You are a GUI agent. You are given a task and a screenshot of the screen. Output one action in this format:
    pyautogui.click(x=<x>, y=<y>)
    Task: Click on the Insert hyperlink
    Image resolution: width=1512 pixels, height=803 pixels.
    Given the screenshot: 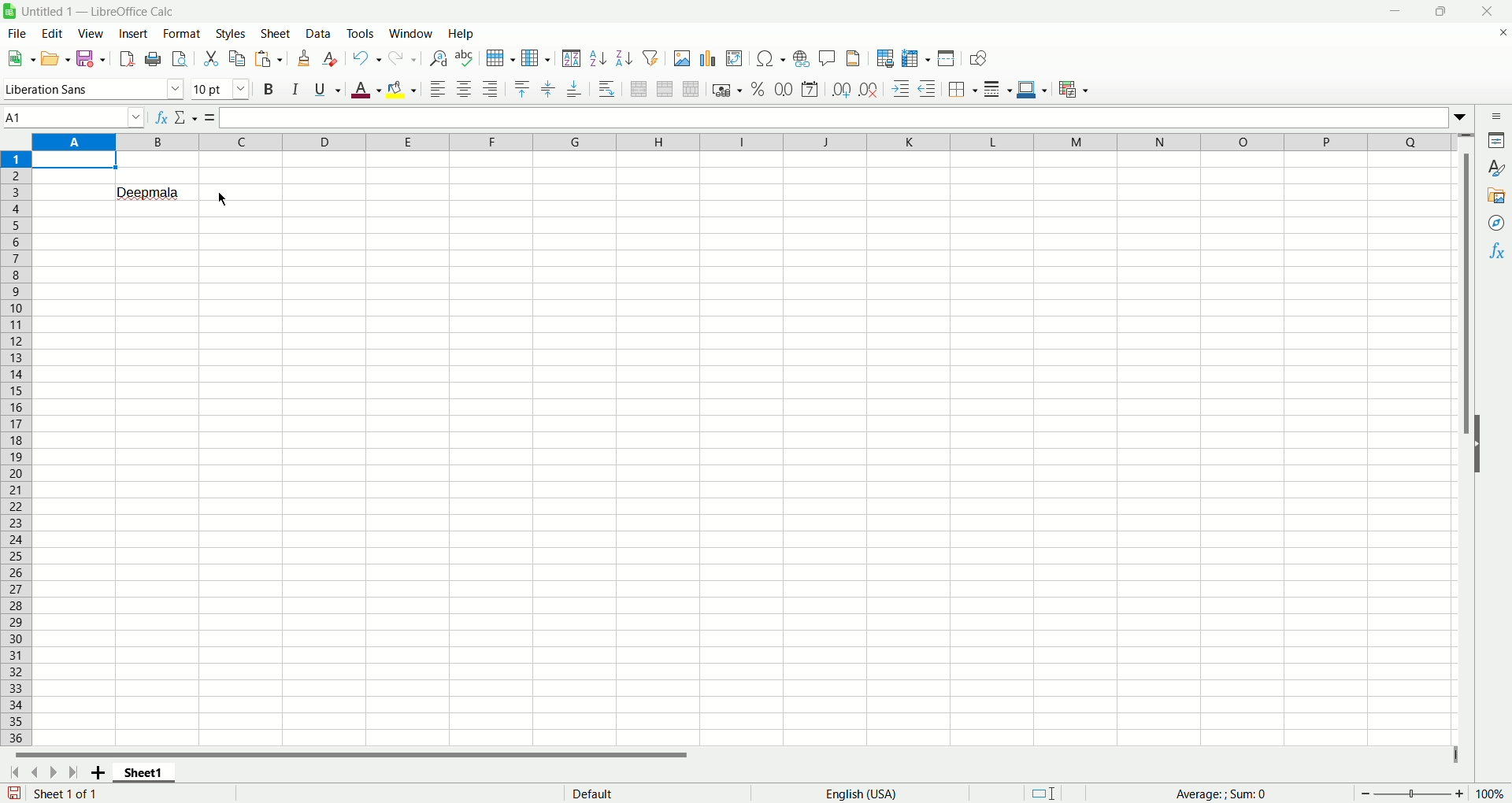 What is the action you would take?
    pyautogui.click(x=801, y=57)
    